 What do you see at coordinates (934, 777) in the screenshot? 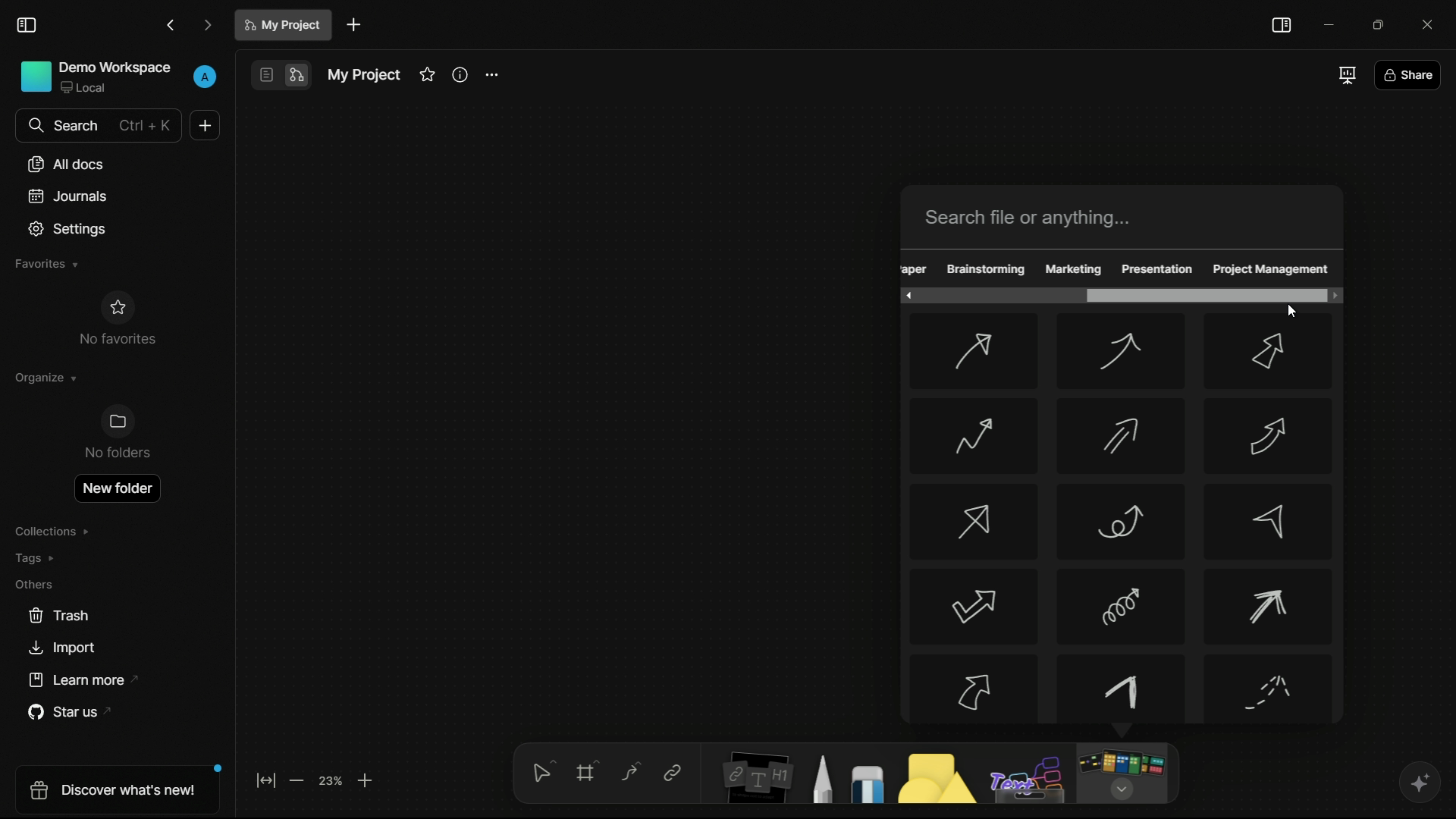
I see `shapes` at bounding box center [934, 777].